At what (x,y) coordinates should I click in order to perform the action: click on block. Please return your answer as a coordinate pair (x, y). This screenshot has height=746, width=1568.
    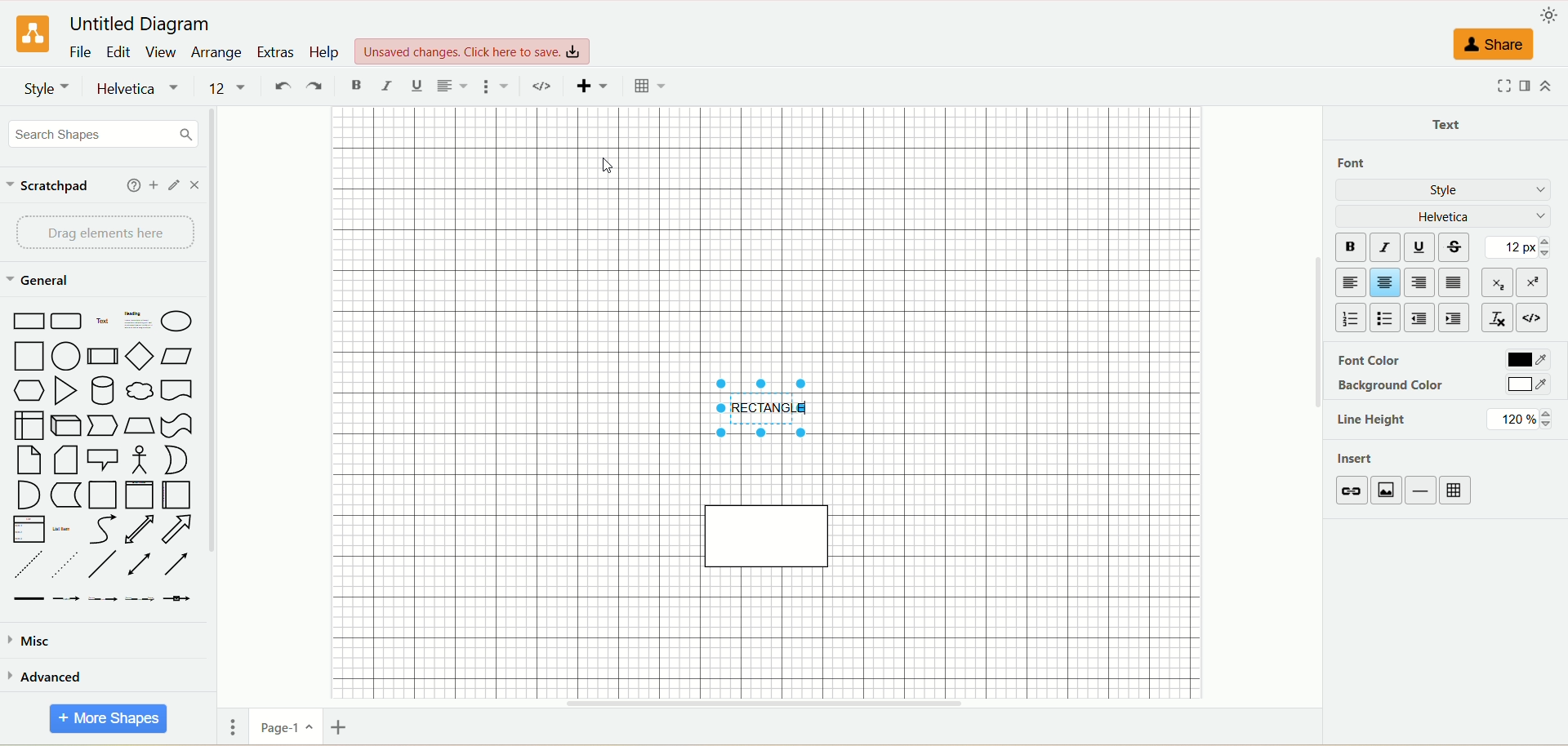
    Looking at the image, I should click on (1457, 282).